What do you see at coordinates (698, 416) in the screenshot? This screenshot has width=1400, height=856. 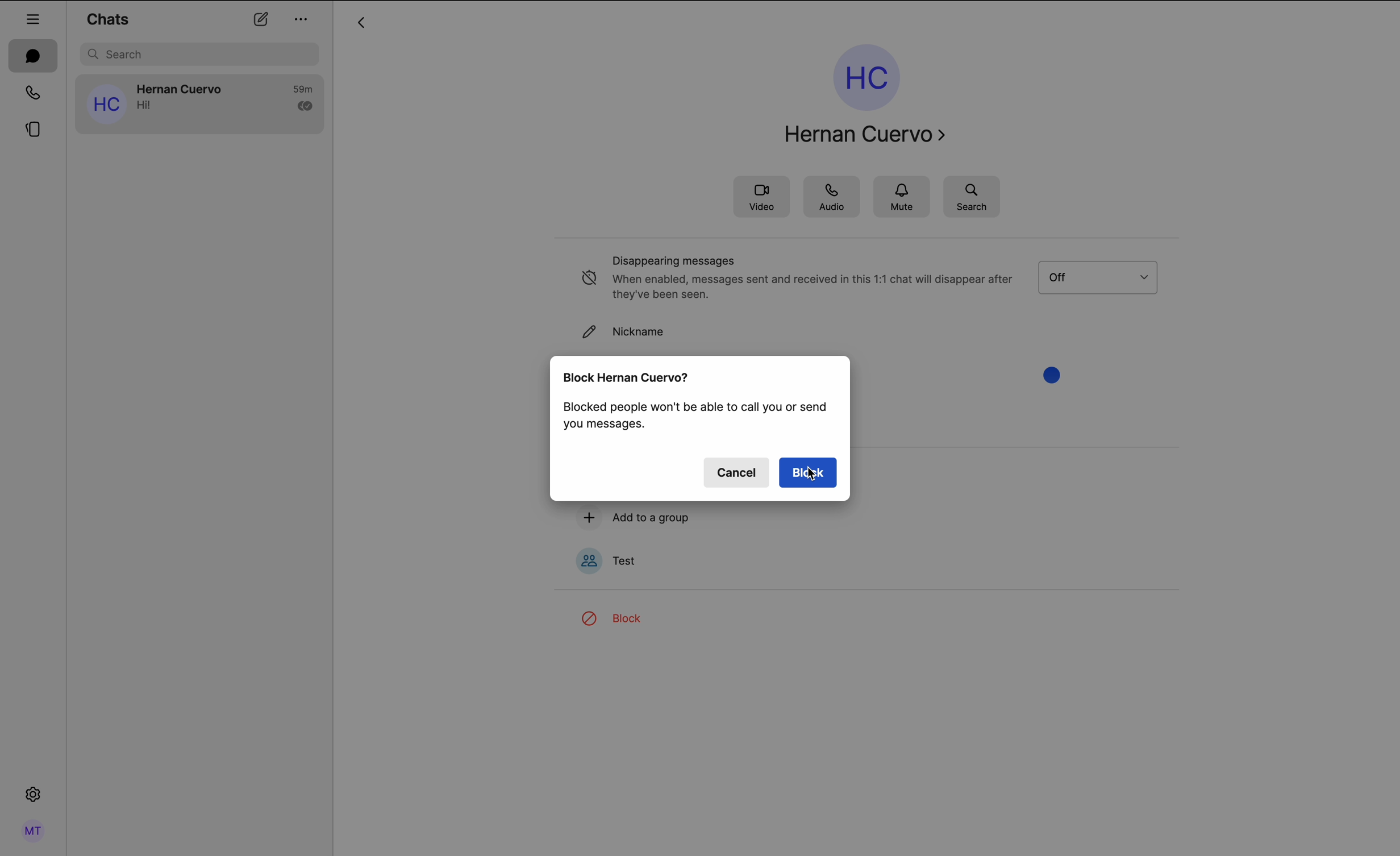 I see `blocking information` at bounding box center [698, 416].